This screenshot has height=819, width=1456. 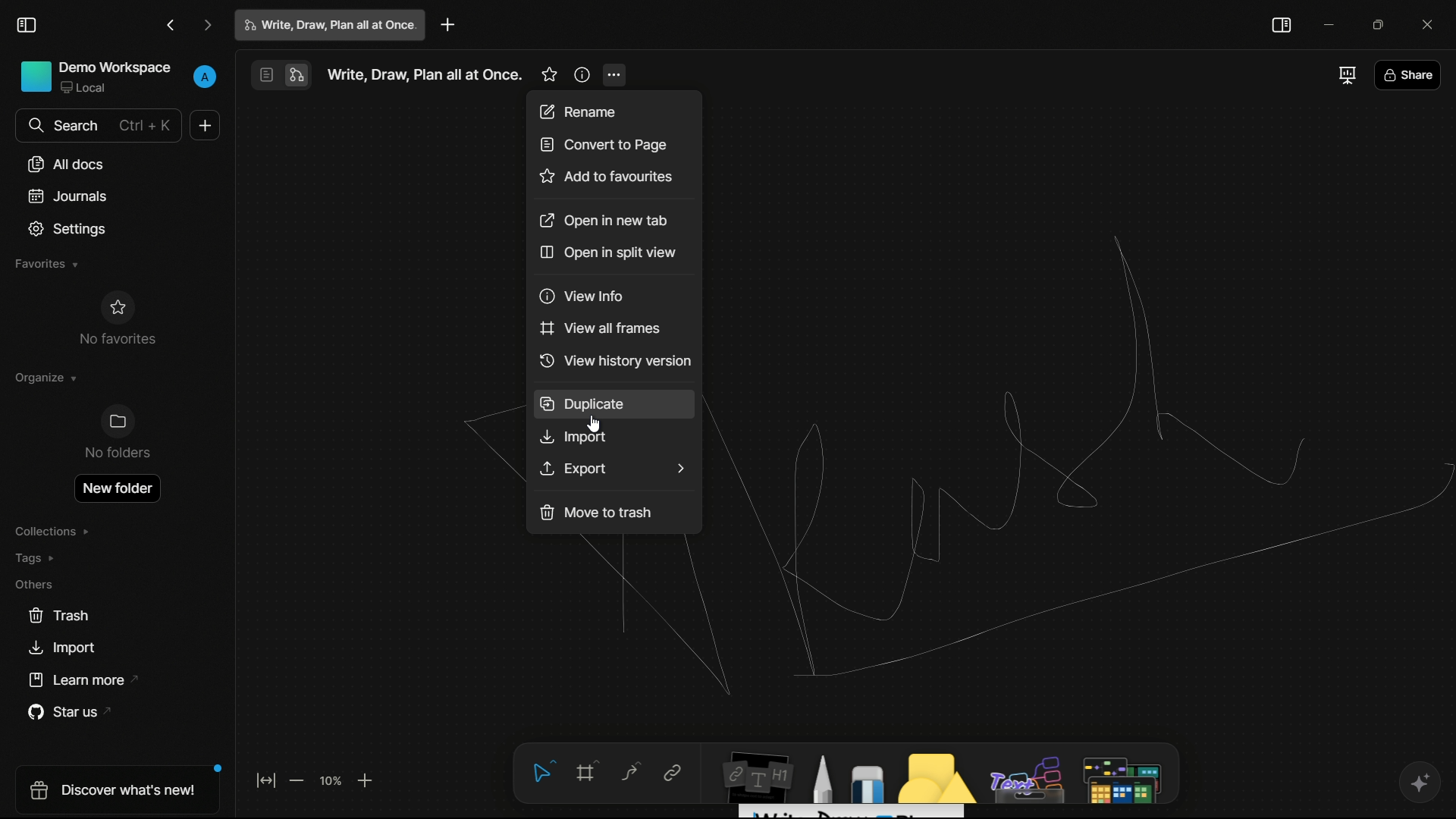 I want to click on zoom out, so click(x=297, y=780).